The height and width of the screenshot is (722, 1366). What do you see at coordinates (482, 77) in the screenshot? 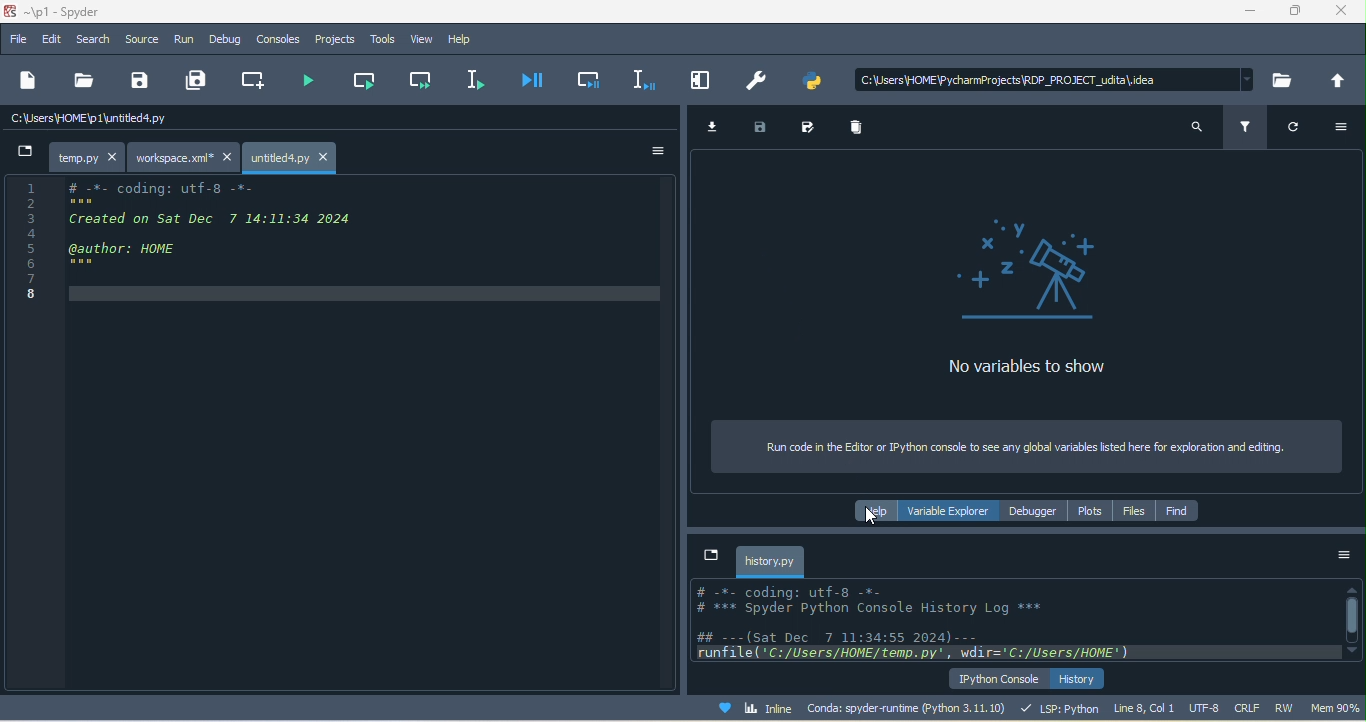
I see `current line` at bounding box center [482, 77].